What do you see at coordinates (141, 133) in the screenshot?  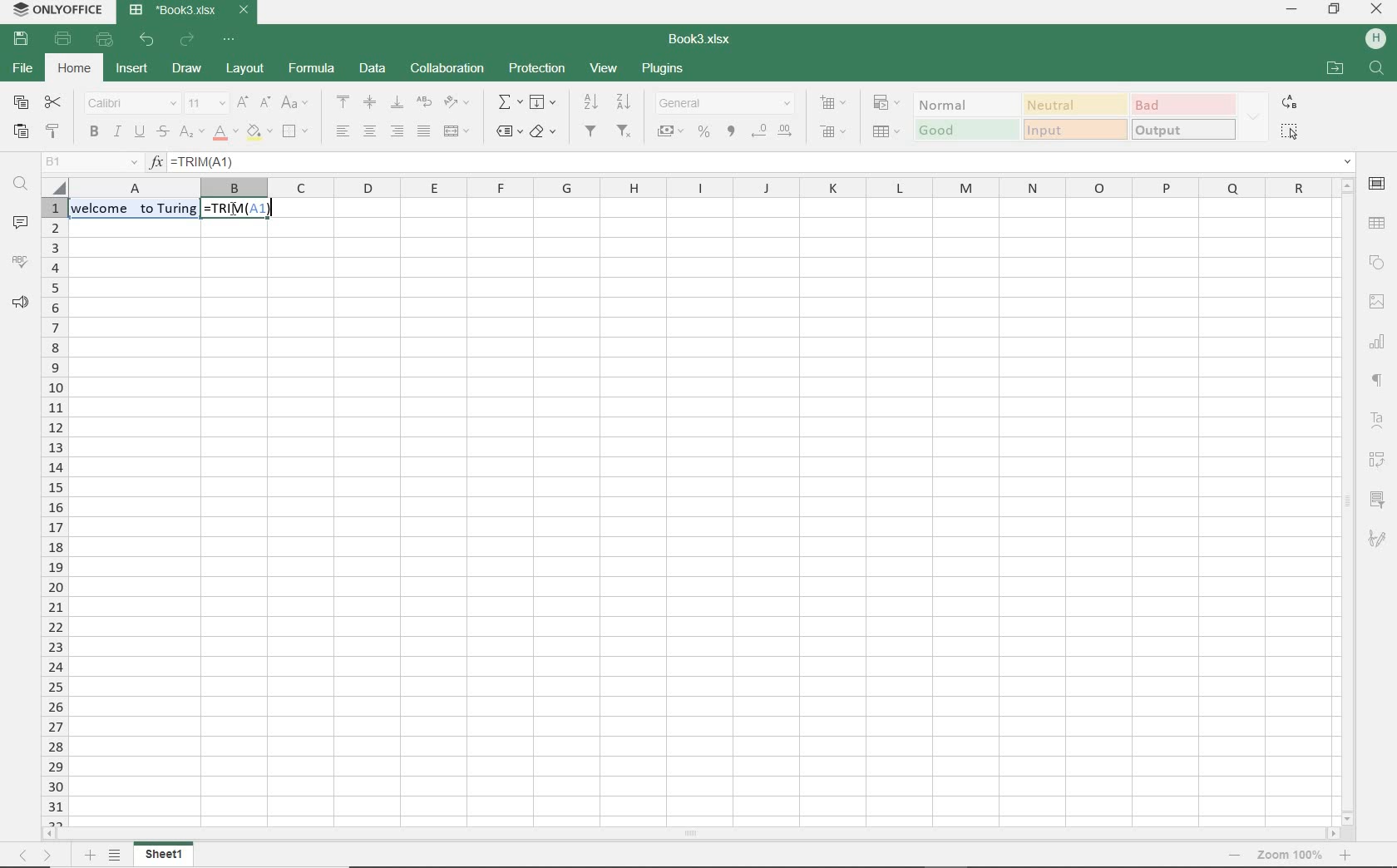 I see `underline` at bounding box center [141, 133].